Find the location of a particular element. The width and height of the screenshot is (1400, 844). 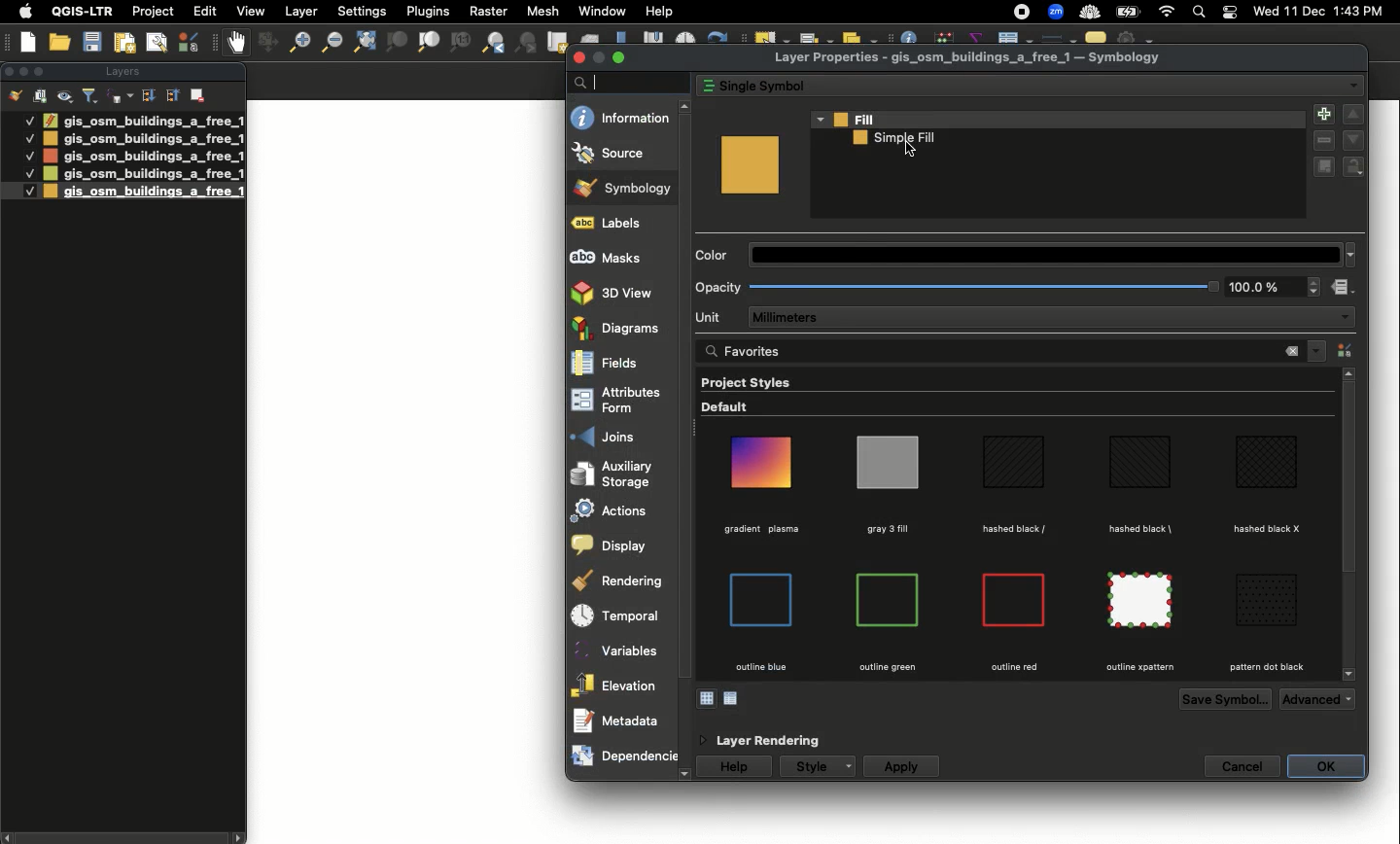

Layer is located at coordinates (302, 12).